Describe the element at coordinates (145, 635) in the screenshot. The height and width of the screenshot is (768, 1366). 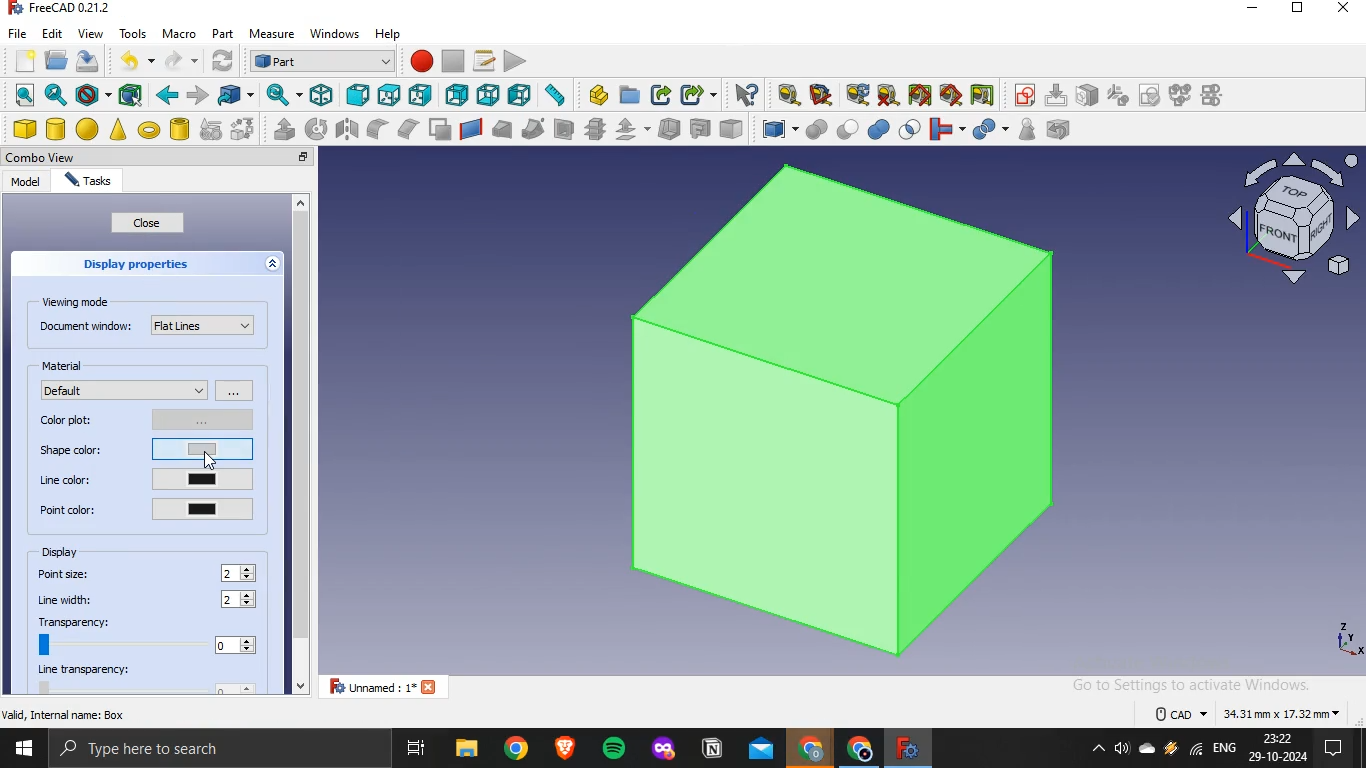
I see `transparency` at that location.